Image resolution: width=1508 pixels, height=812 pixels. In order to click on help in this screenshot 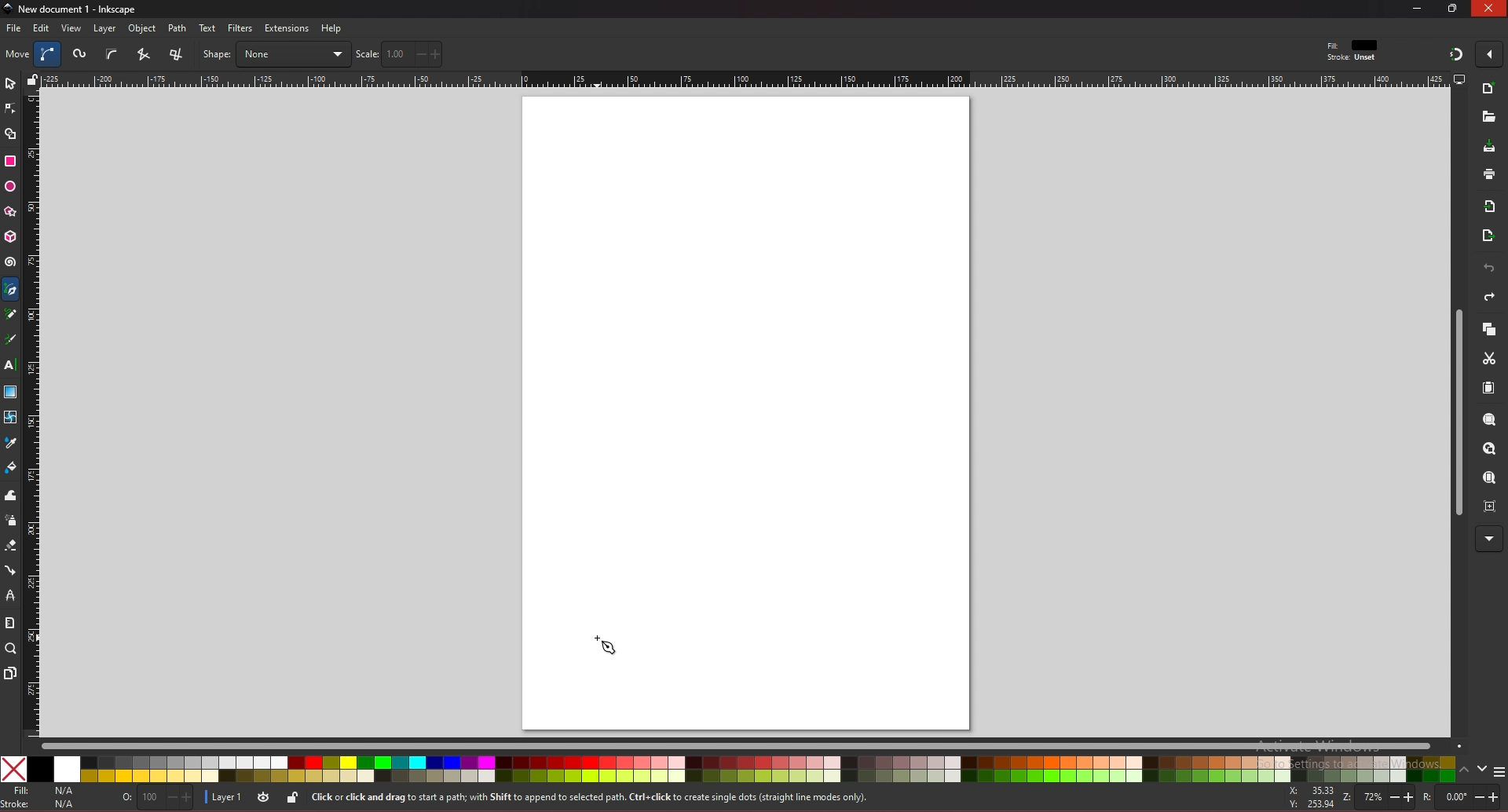, I will do `click(332, 28)`.